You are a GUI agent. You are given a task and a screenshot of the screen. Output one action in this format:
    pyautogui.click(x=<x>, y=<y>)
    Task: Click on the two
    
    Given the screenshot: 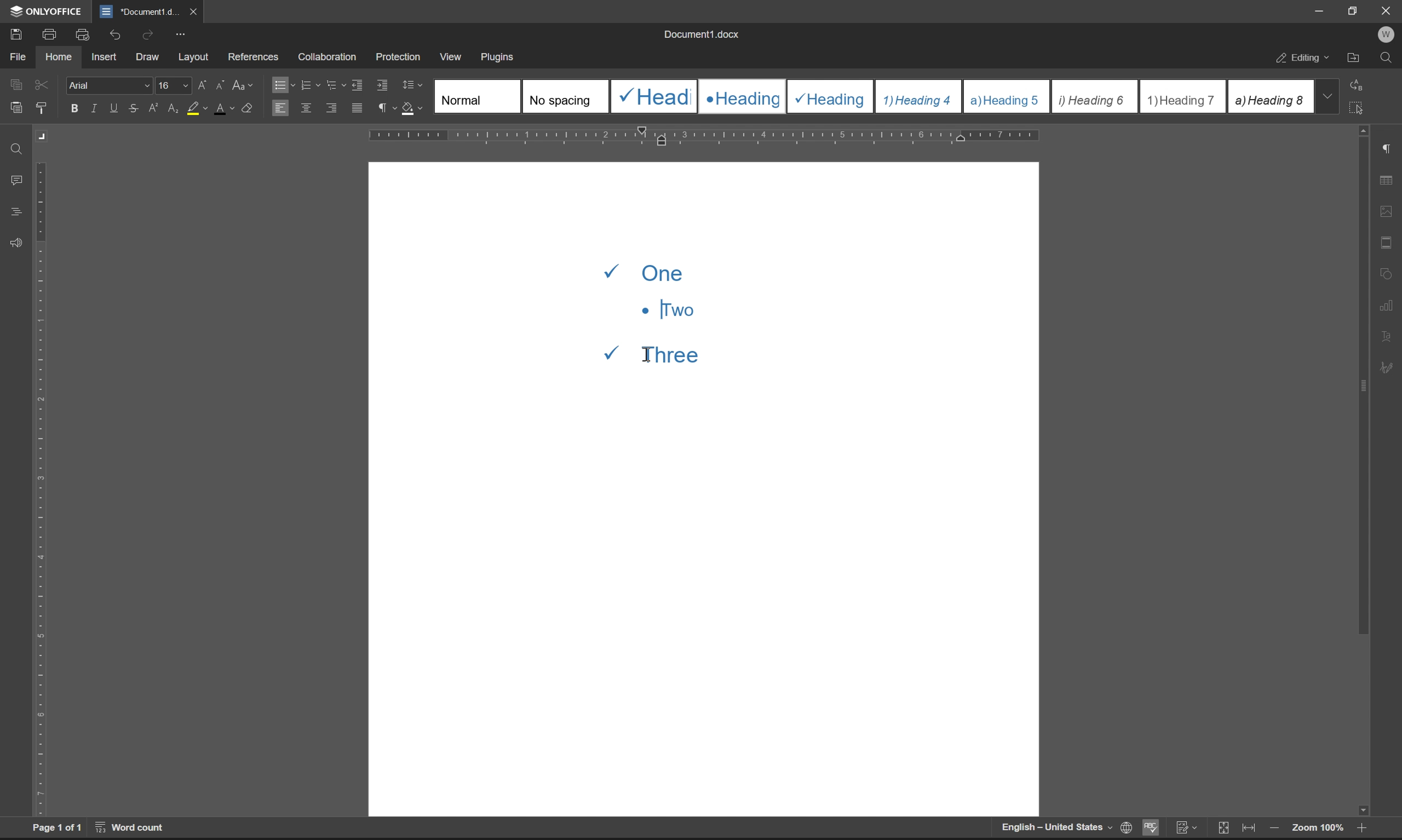 What is the action you would take?
    pyautogui.click(x=667, y=309)
    